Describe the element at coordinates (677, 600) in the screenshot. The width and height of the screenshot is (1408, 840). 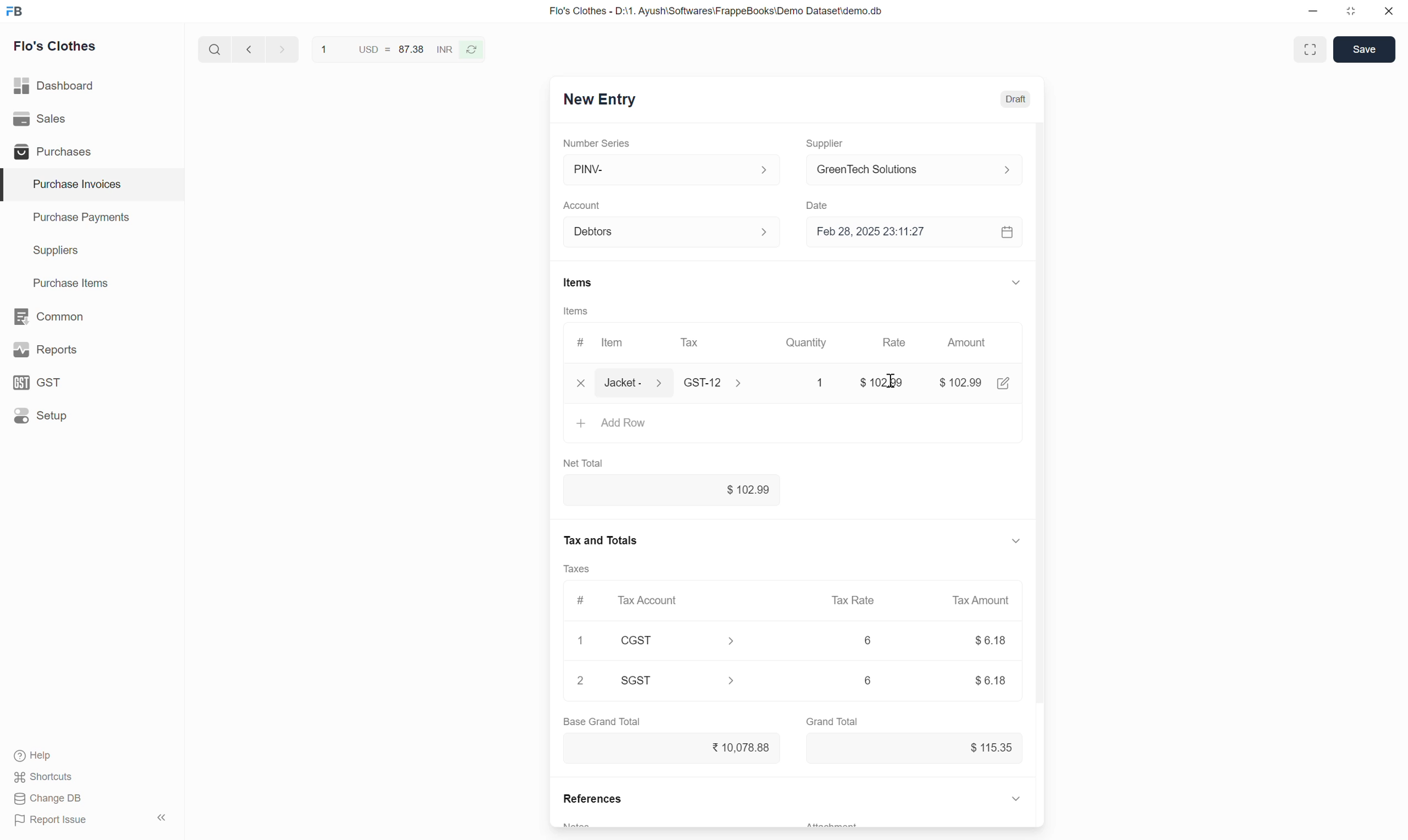
I see `Tax Account` at that location.